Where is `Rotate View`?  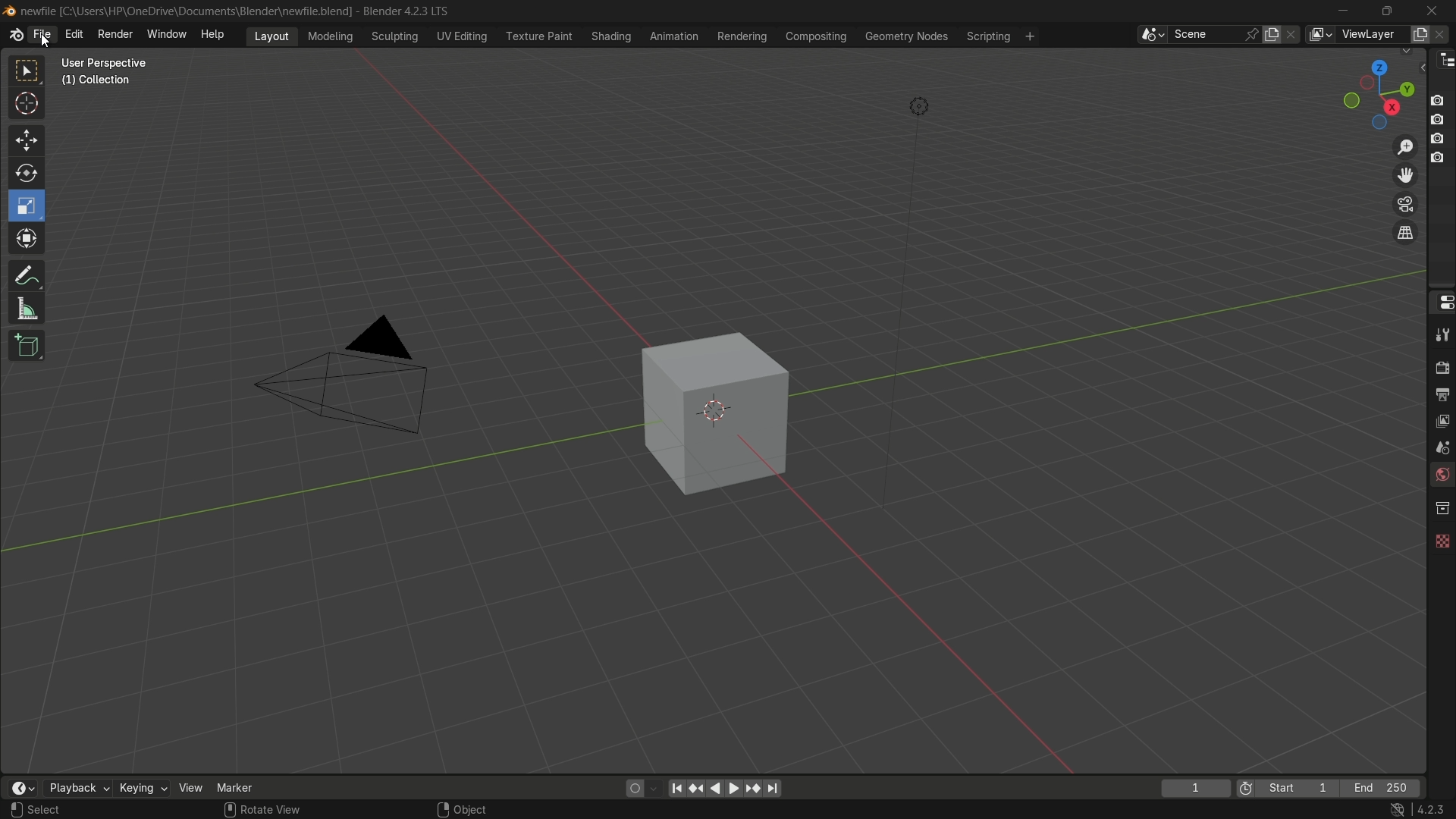 Rotate View is located at coordinates (262, 810).